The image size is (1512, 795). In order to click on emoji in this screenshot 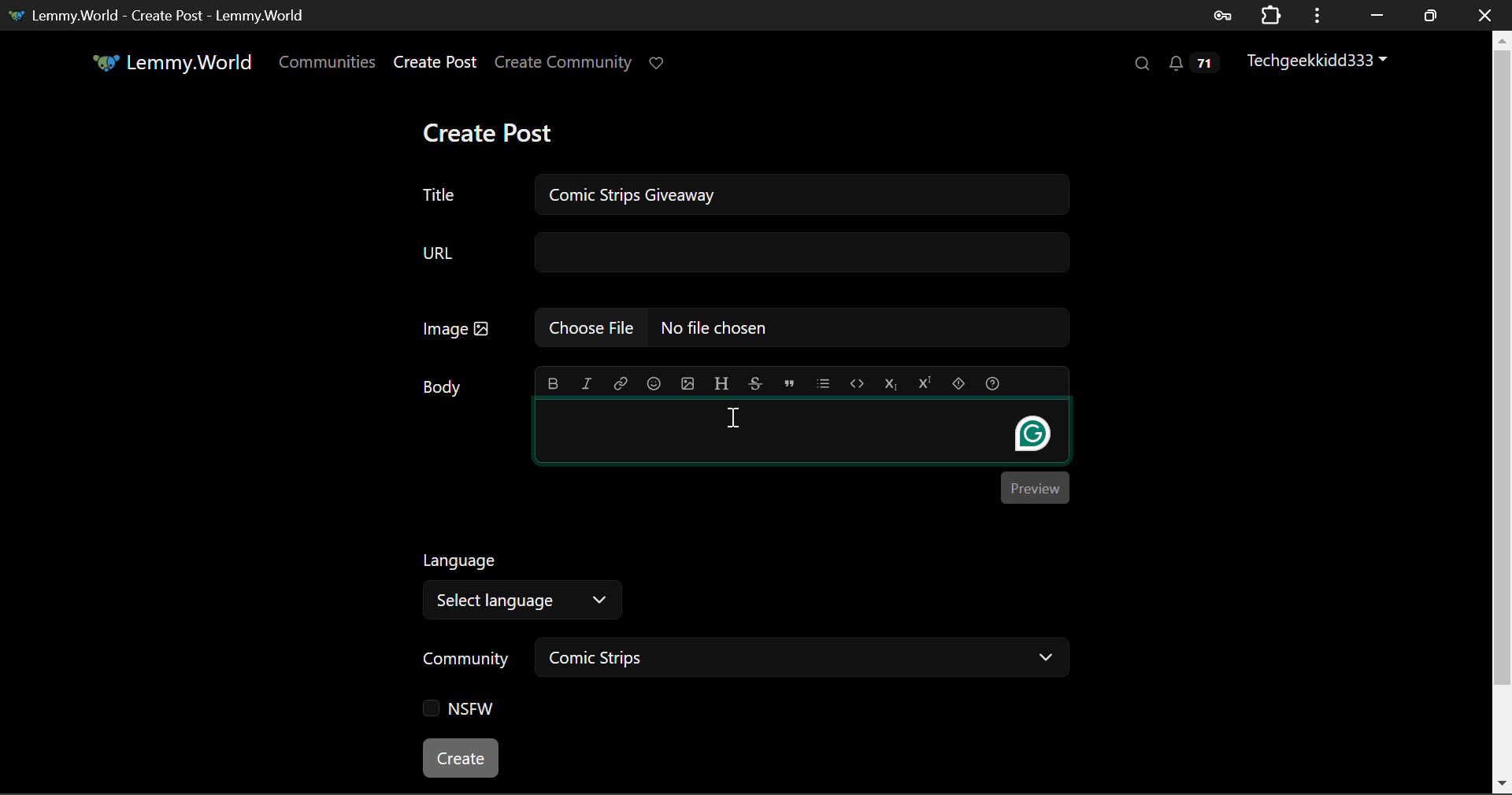, I will do `click(651, 380)`.